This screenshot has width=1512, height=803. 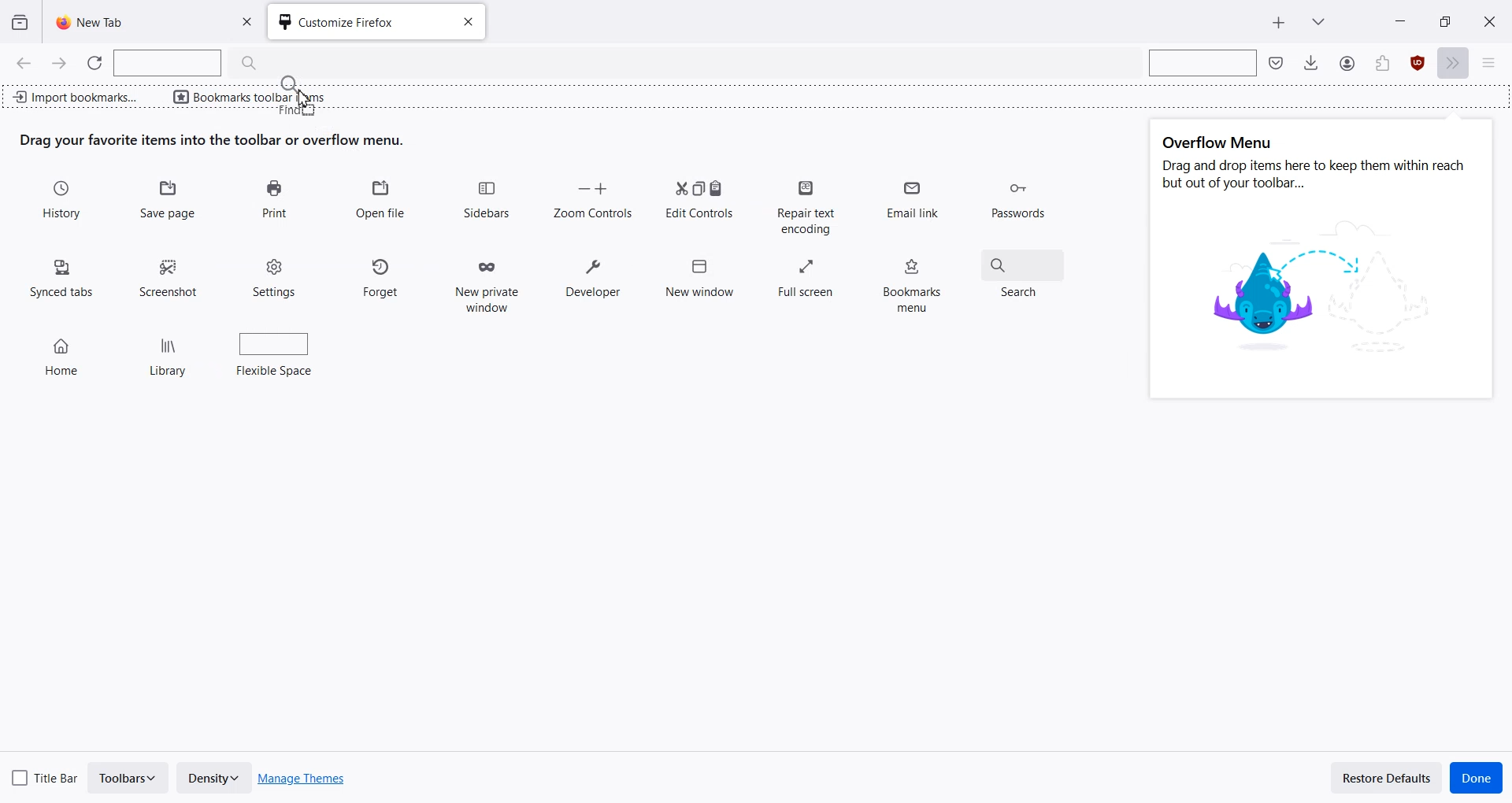 I want to click on Done, so click(x=1477, y=778).